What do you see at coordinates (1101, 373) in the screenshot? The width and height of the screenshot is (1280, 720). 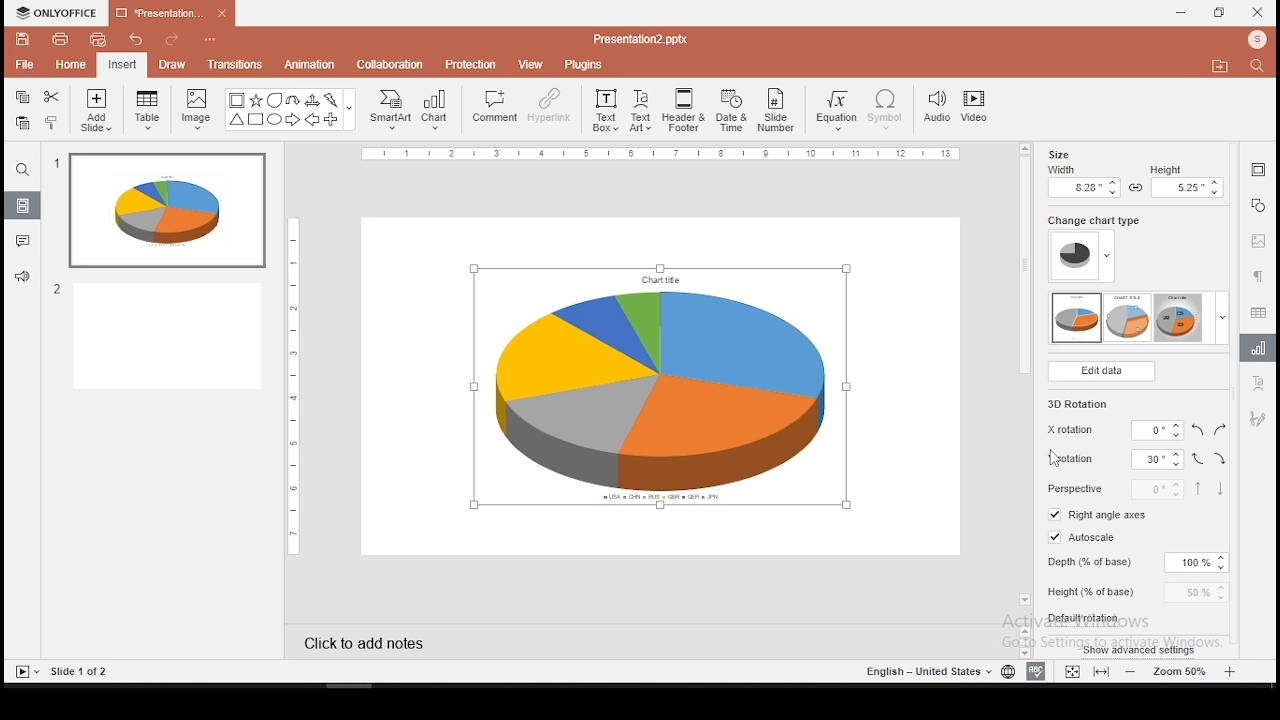 I see `edit data` at bounding box center [1101, 373].